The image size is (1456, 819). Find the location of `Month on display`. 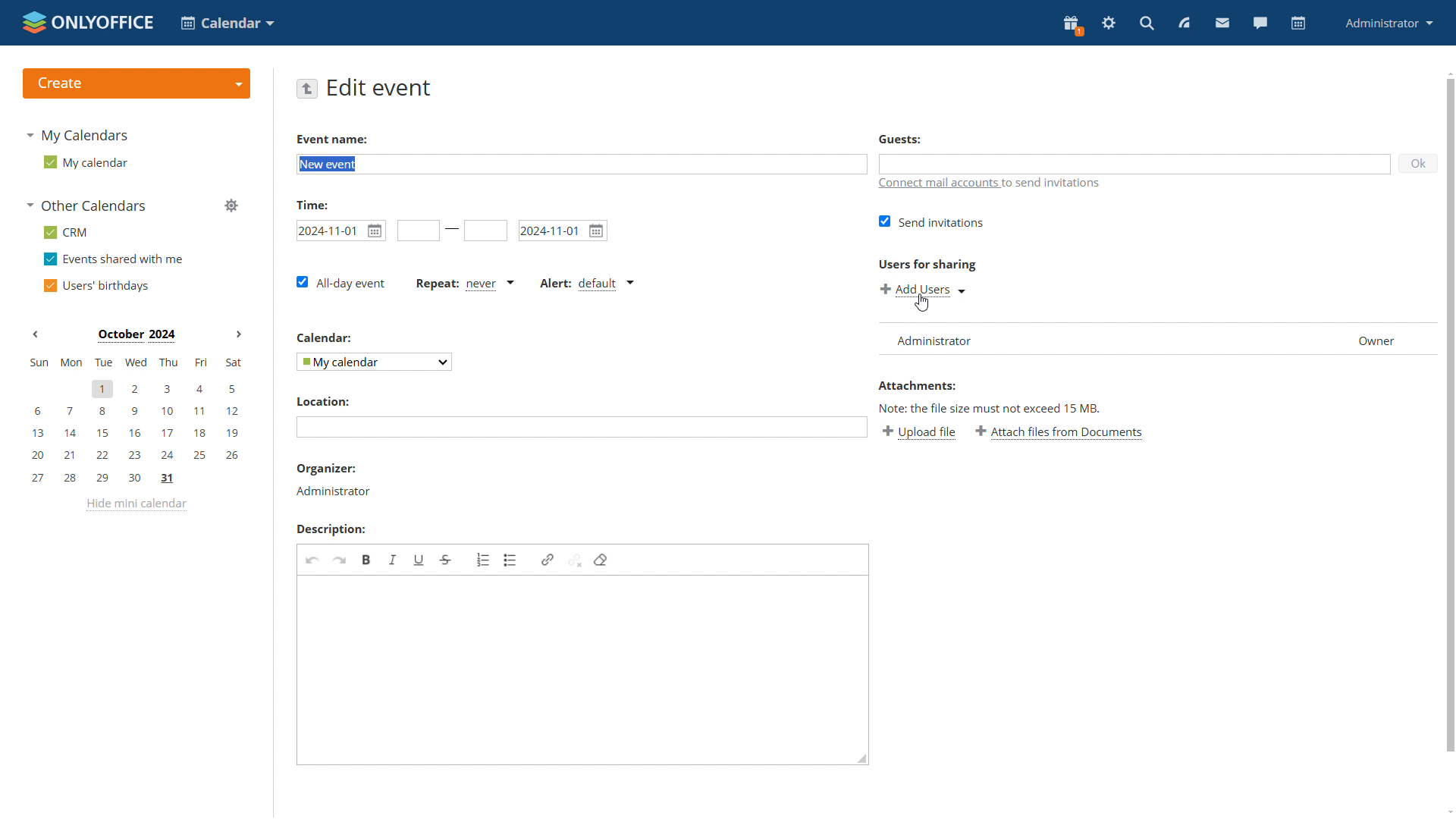

Month on display is located at coordinates (135, 335).